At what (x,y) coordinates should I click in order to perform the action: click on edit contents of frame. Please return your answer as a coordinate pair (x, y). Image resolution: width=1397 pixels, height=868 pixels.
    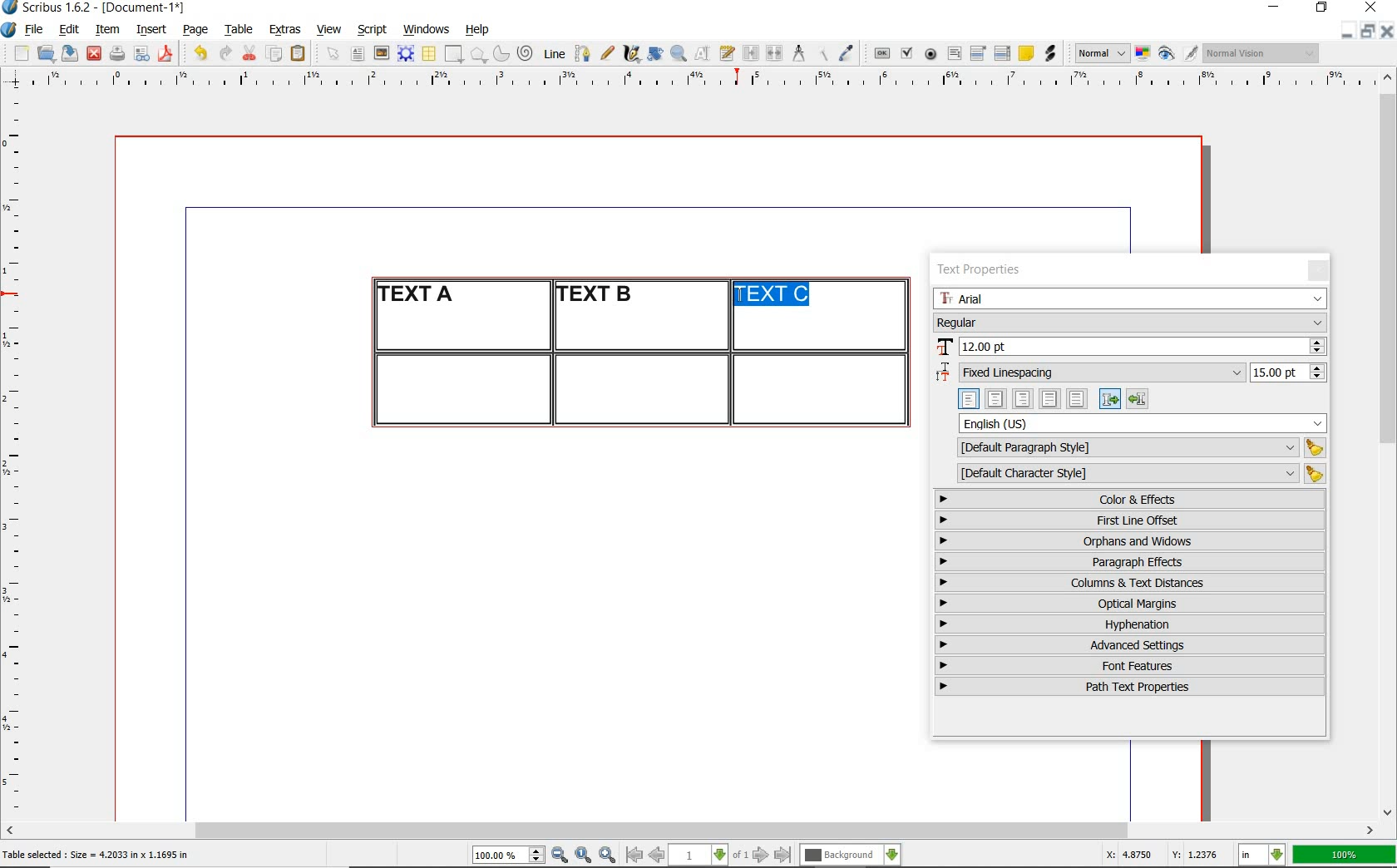
    Looking at the image, I should click on (703, 52).